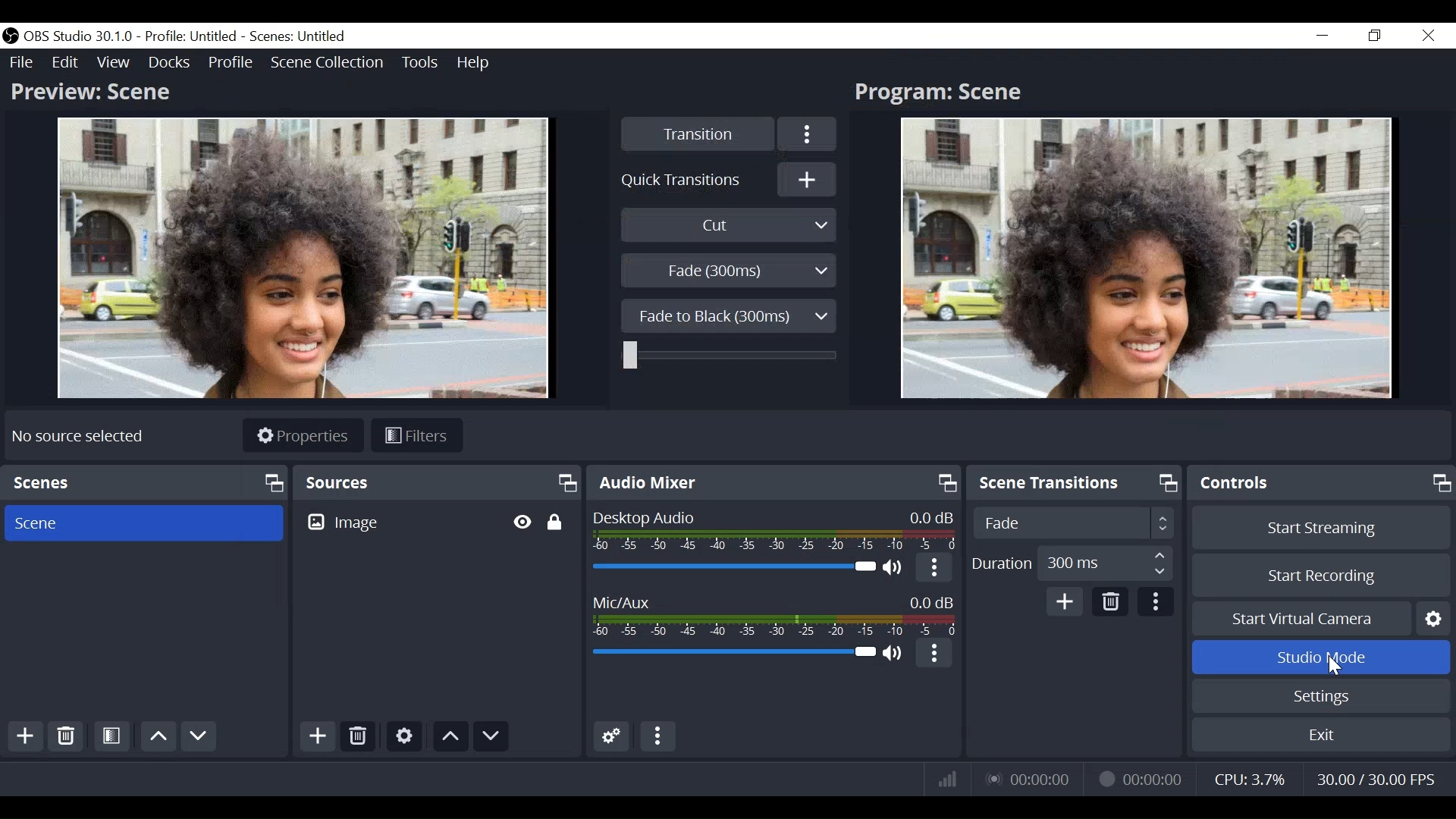  I want to click on Settings , so click(1320, 695).